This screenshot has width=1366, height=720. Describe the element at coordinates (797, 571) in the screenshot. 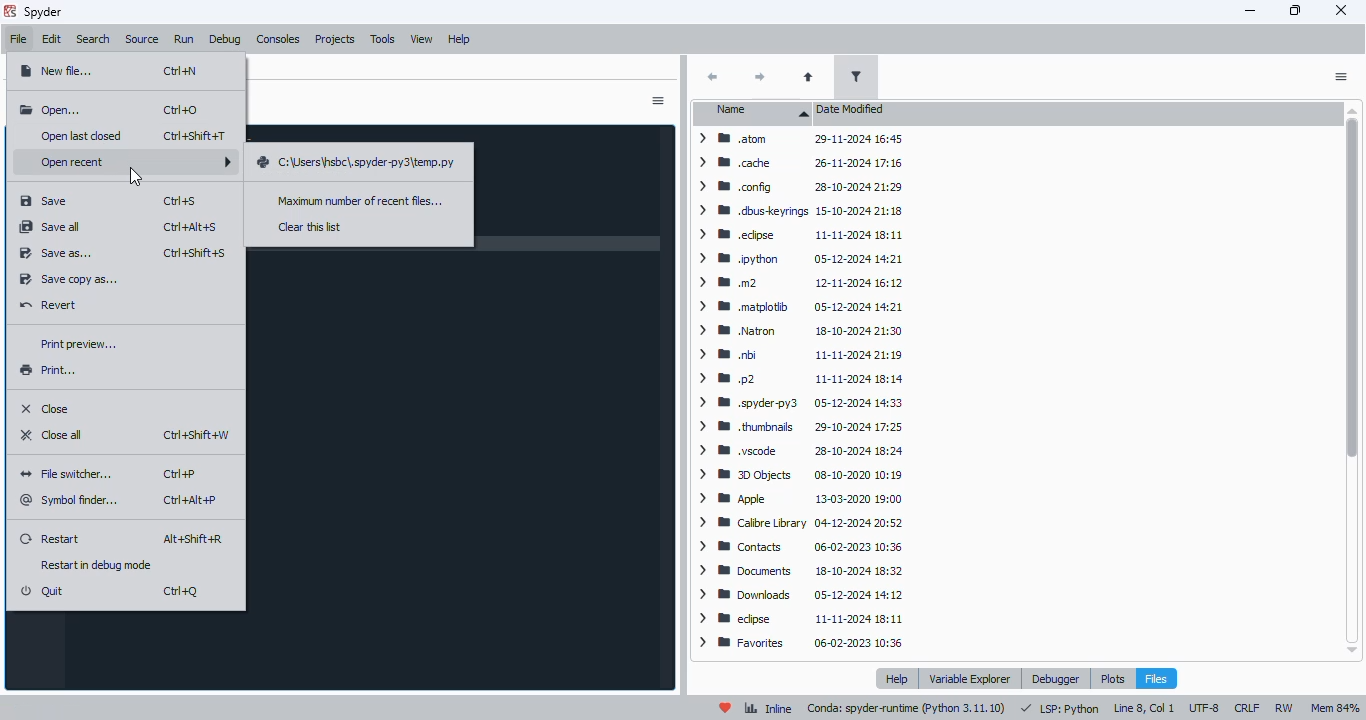

I see `> 8 Documents 18-10-2024 18:32` at that location.